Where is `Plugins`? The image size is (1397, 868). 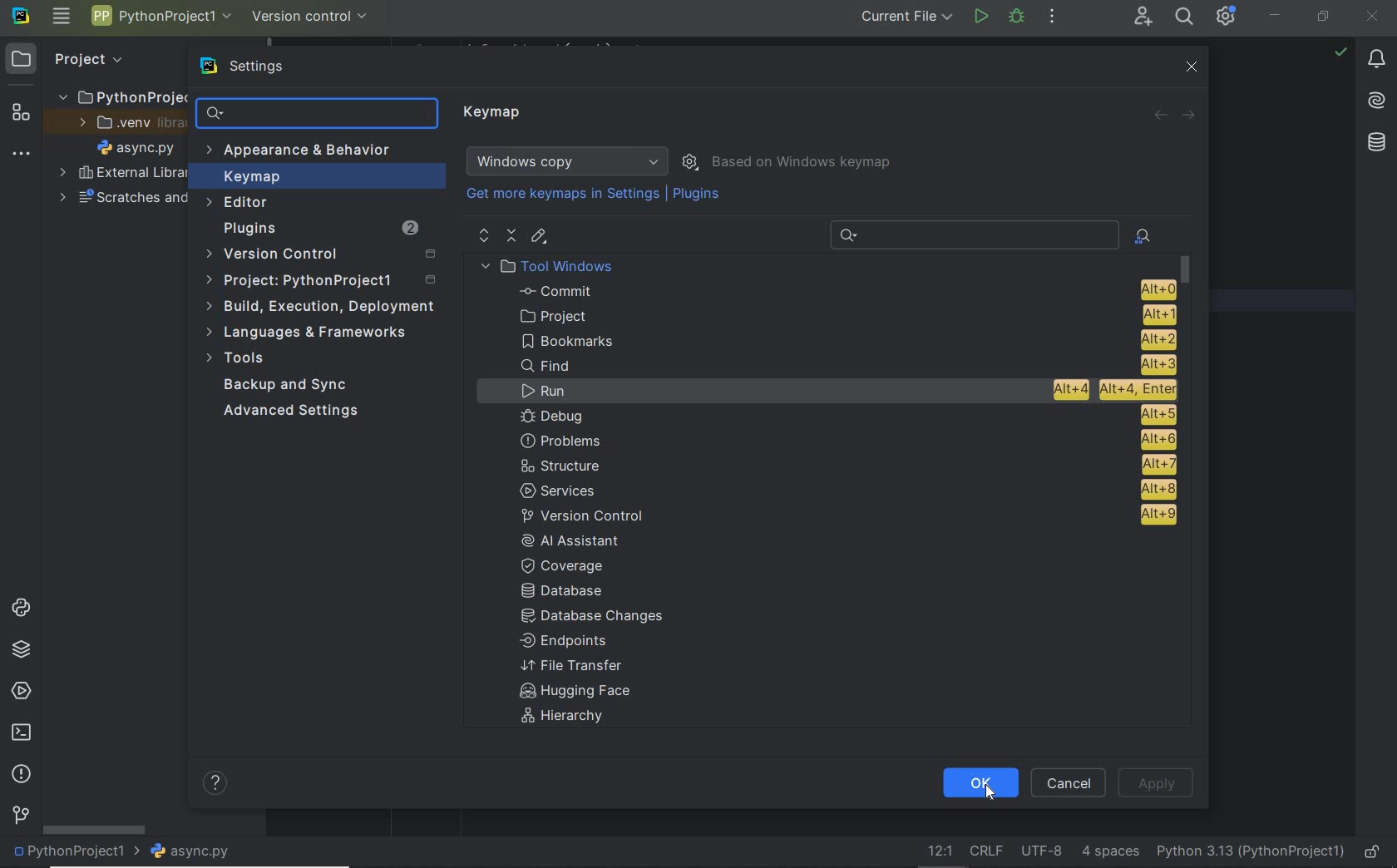 Plugins is located at coordinates (318, 229).